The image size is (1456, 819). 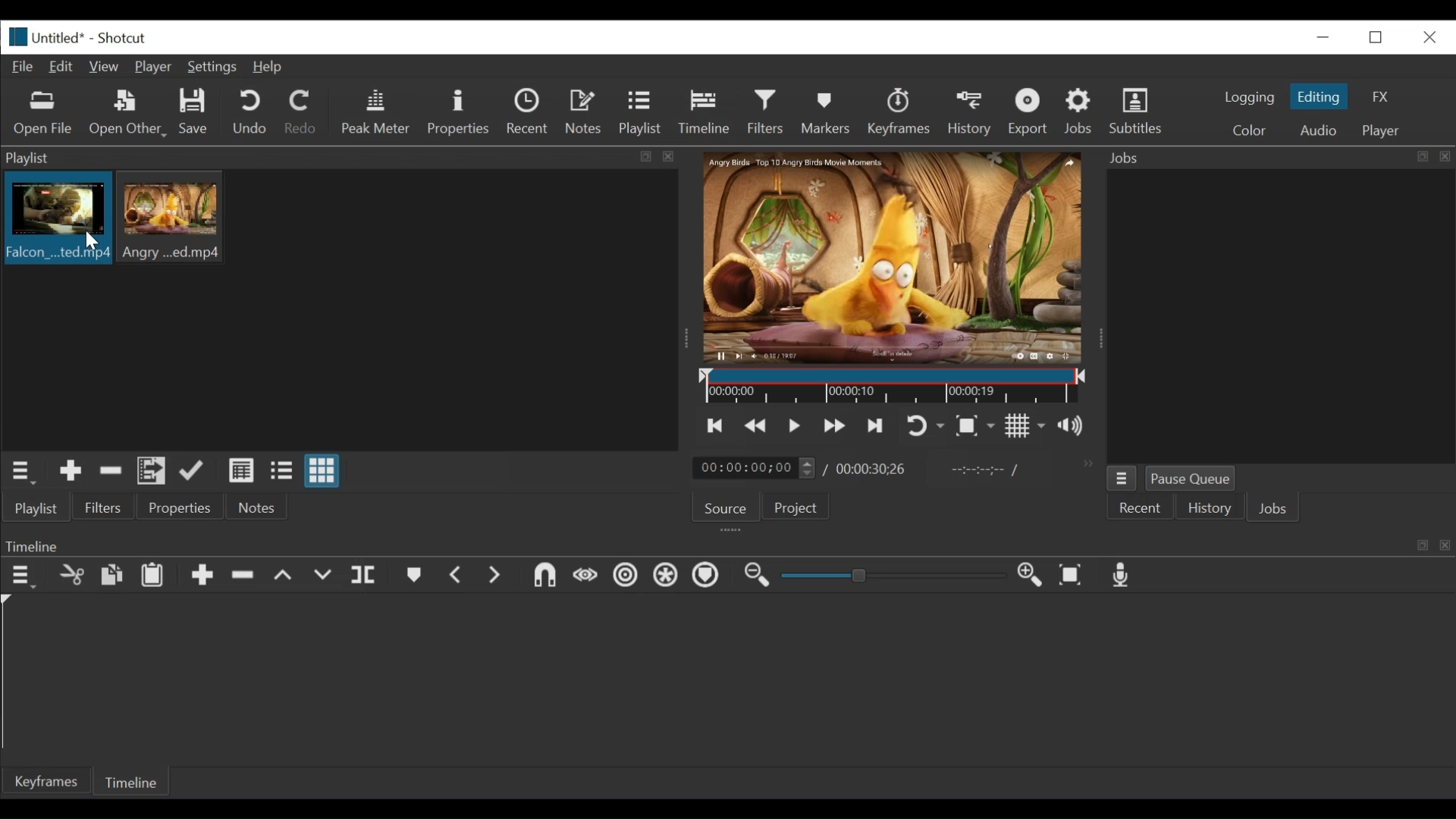 I want to click on Ripple markers, so click(x=709, y=577).